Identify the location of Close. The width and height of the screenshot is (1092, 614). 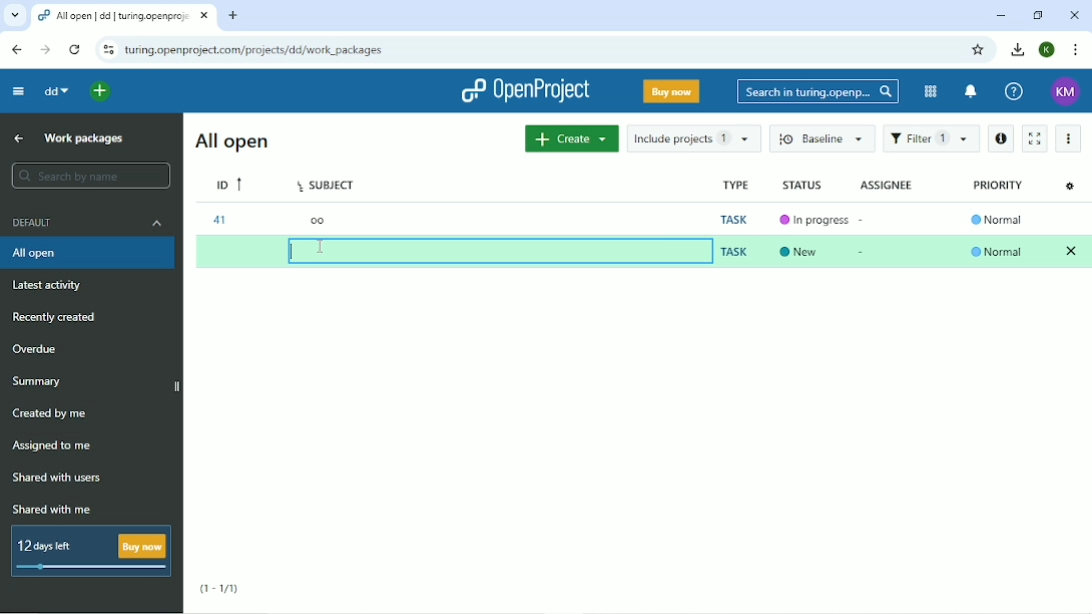
(1074, 14).